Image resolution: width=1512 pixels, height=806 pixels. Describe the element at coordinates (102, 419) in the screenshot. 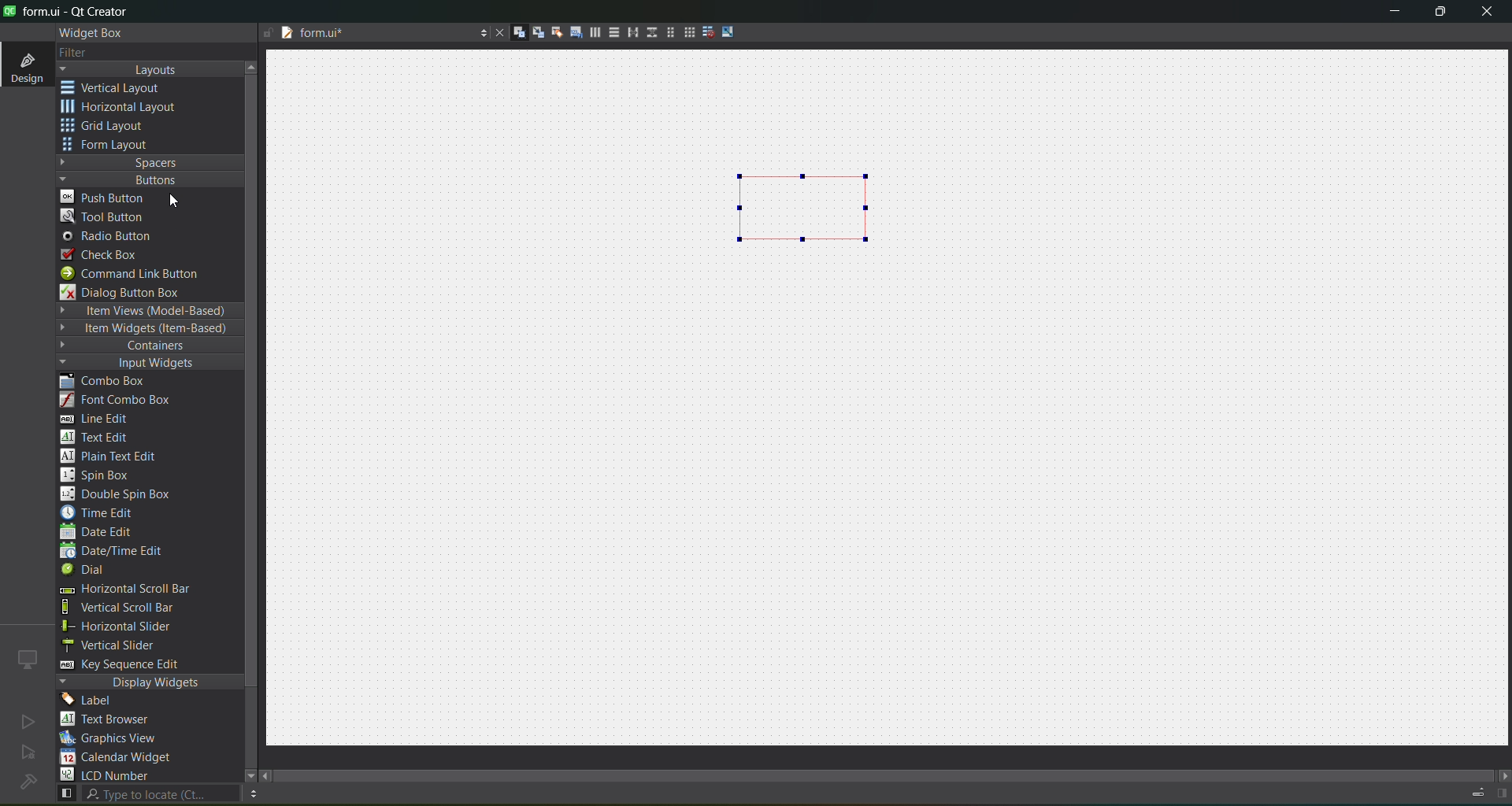

I see `line edit ` at that location.